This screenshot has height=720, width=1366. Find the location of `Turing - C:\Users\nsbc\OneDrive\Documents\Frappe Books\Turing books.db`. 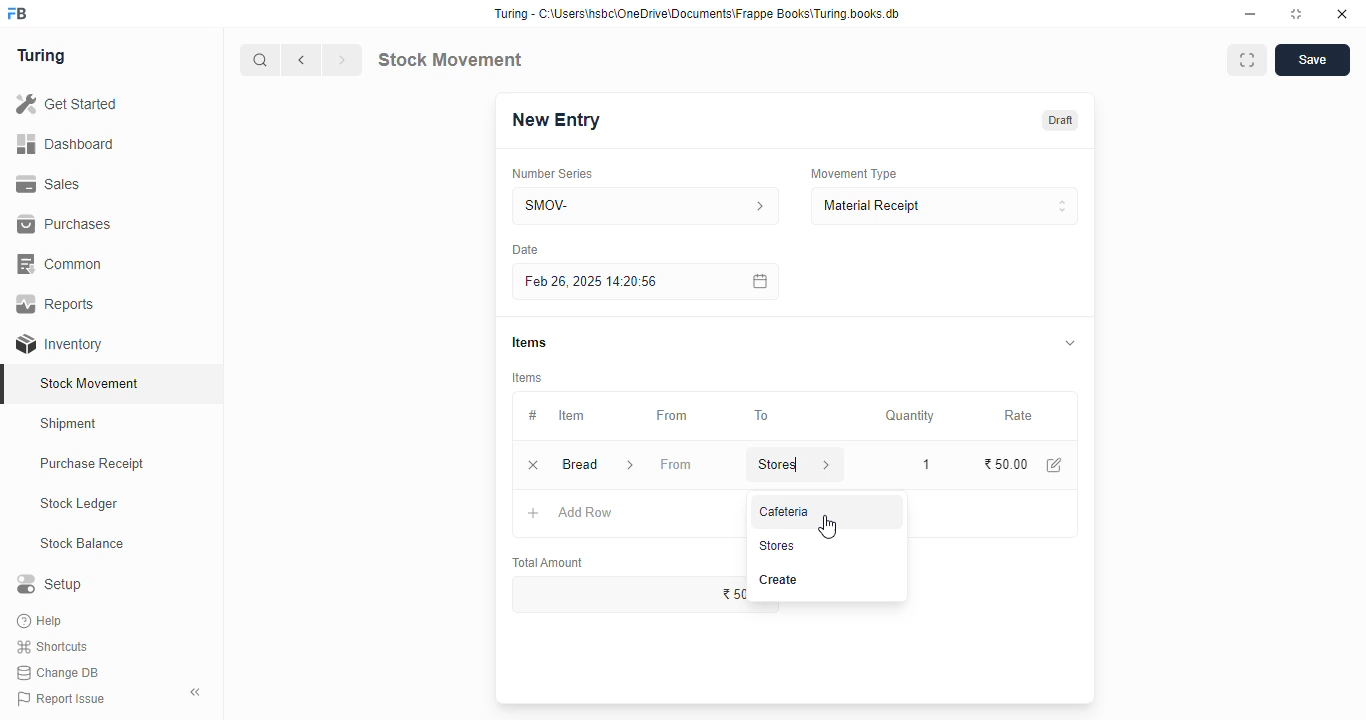

Turing - C:\Users\nsbc\OneDrive\Documents\Frappe Books\Turing books.db is located at coordinates (698, 14).